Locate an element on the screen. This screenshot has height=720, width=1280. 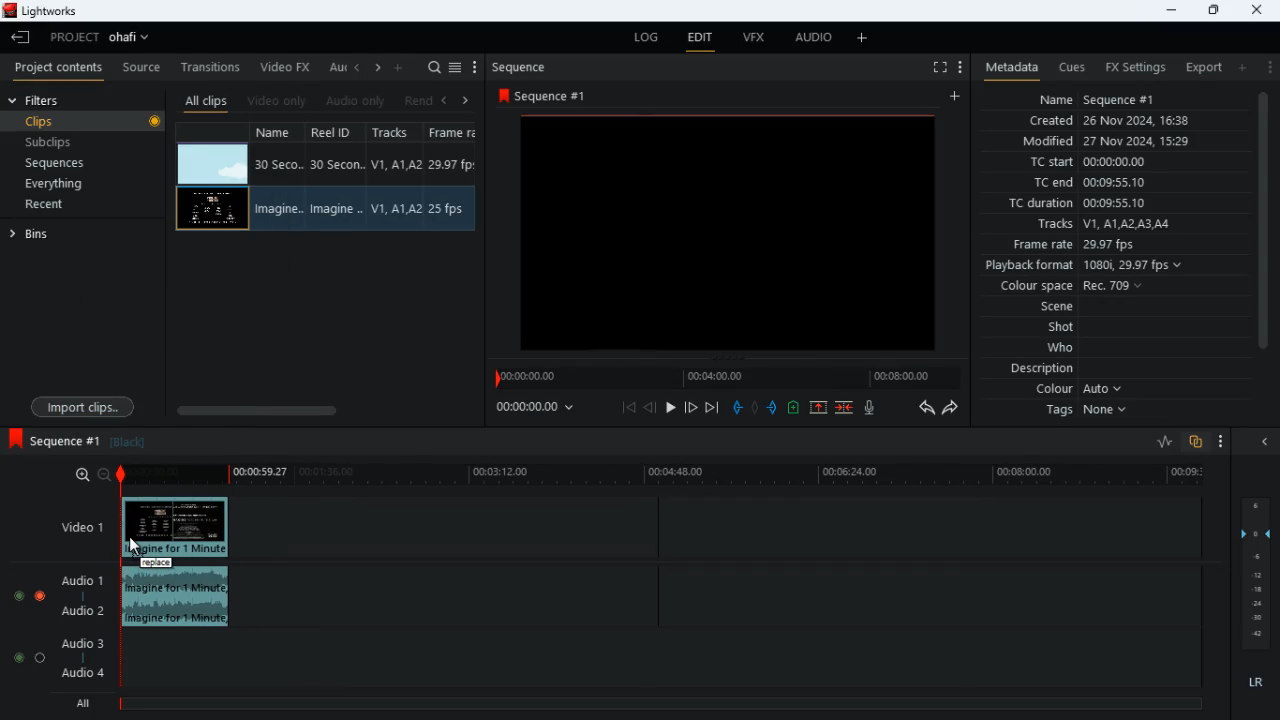
log is located at coordinates (642, 38).